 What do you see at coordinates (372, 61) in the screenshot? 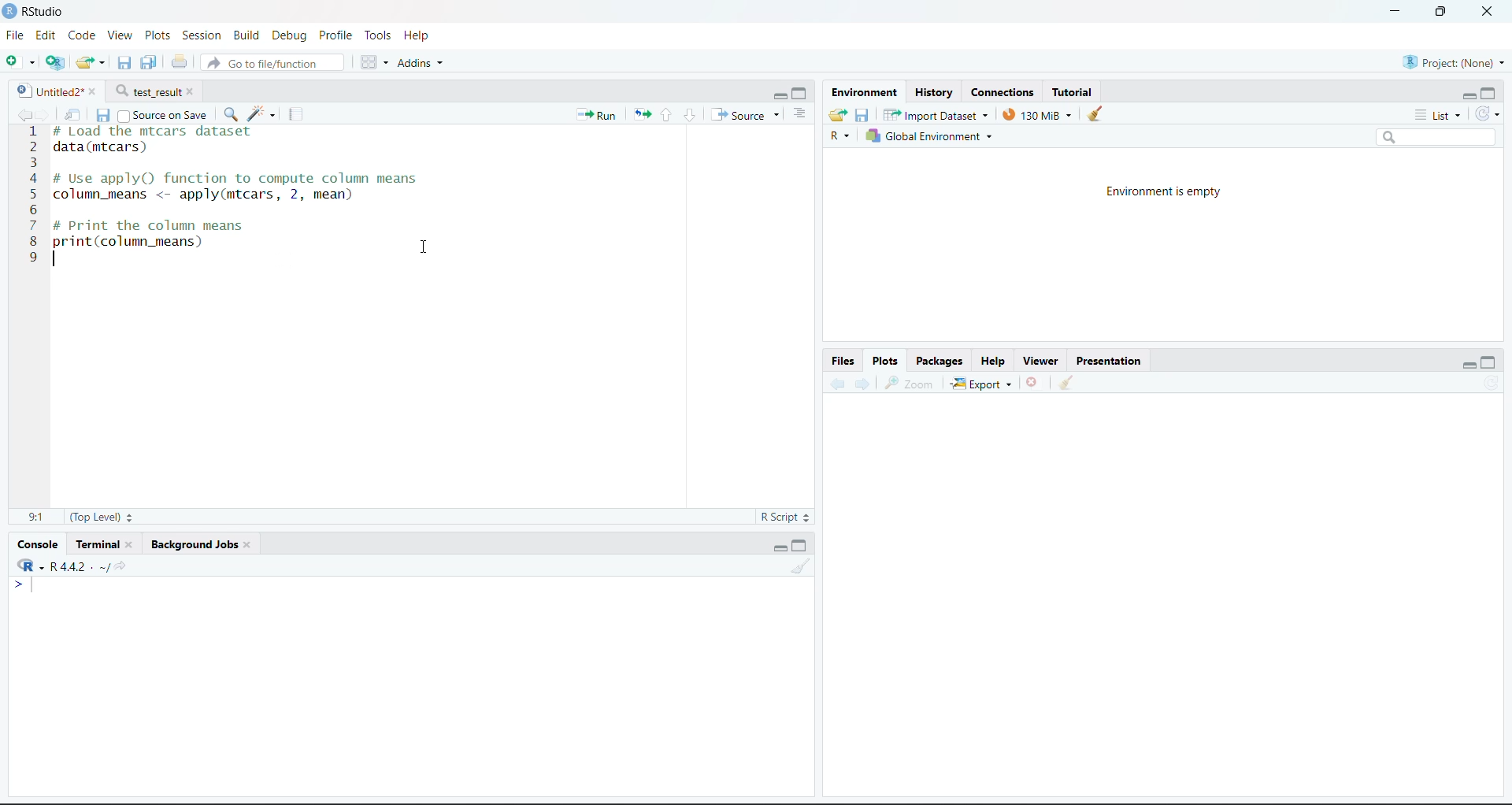
I see `Workspace panes` at bounding box center [372, 61].